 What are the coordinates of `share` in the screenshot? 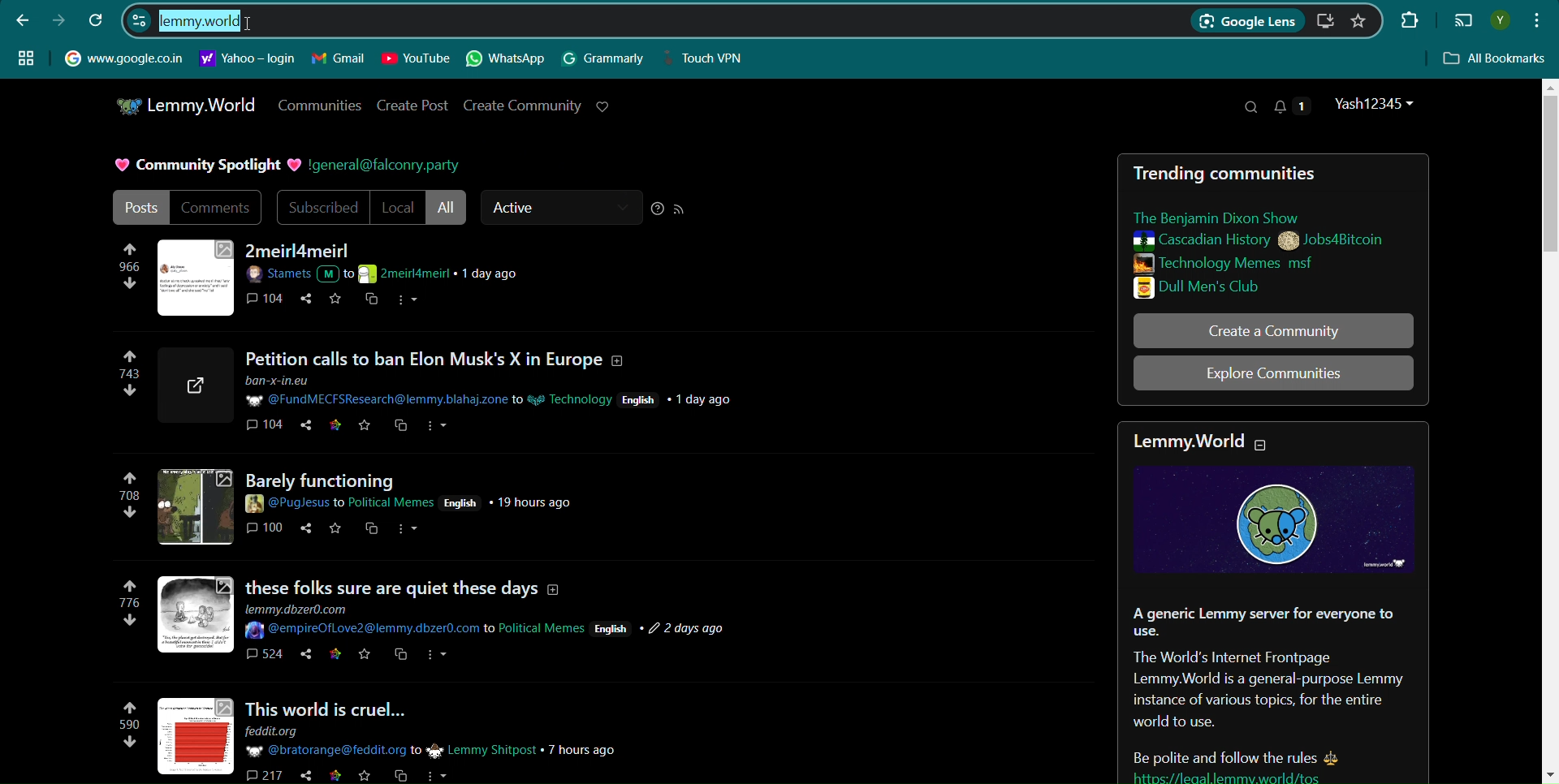 It's located at (304, 530).